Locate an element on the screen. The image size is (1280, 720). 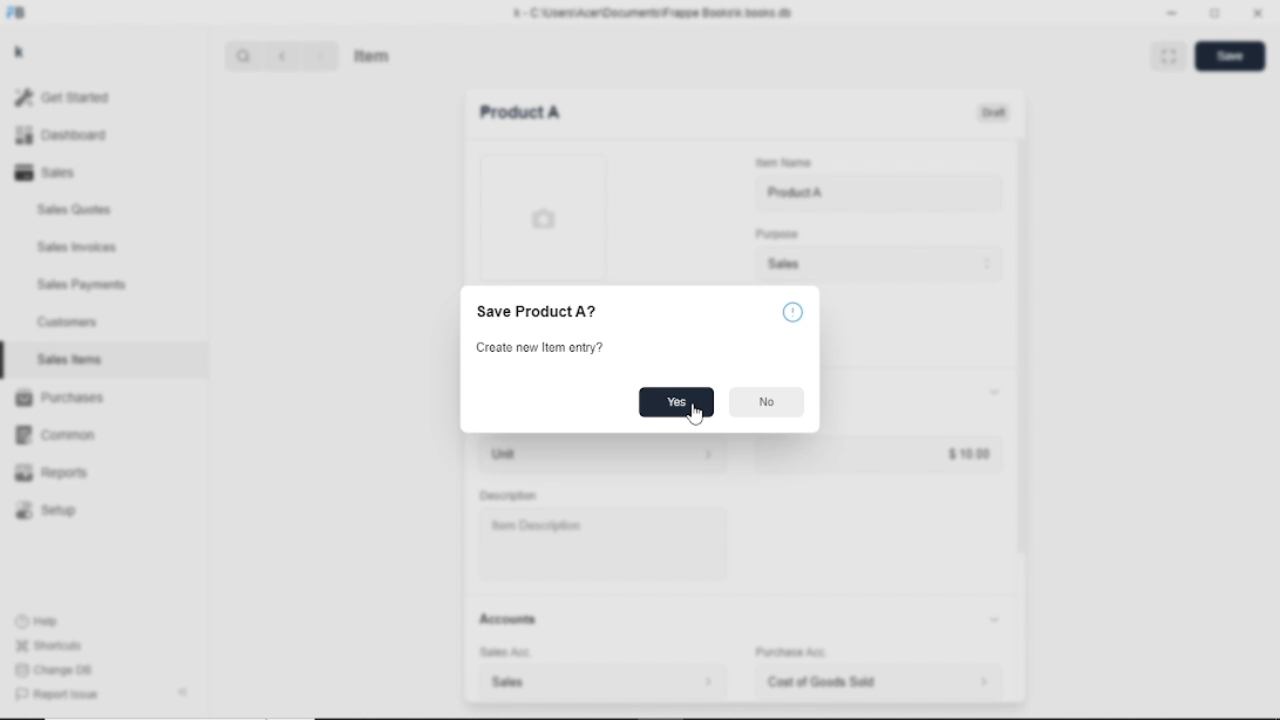
Sales Invoices is located at coordinates (77, 248).